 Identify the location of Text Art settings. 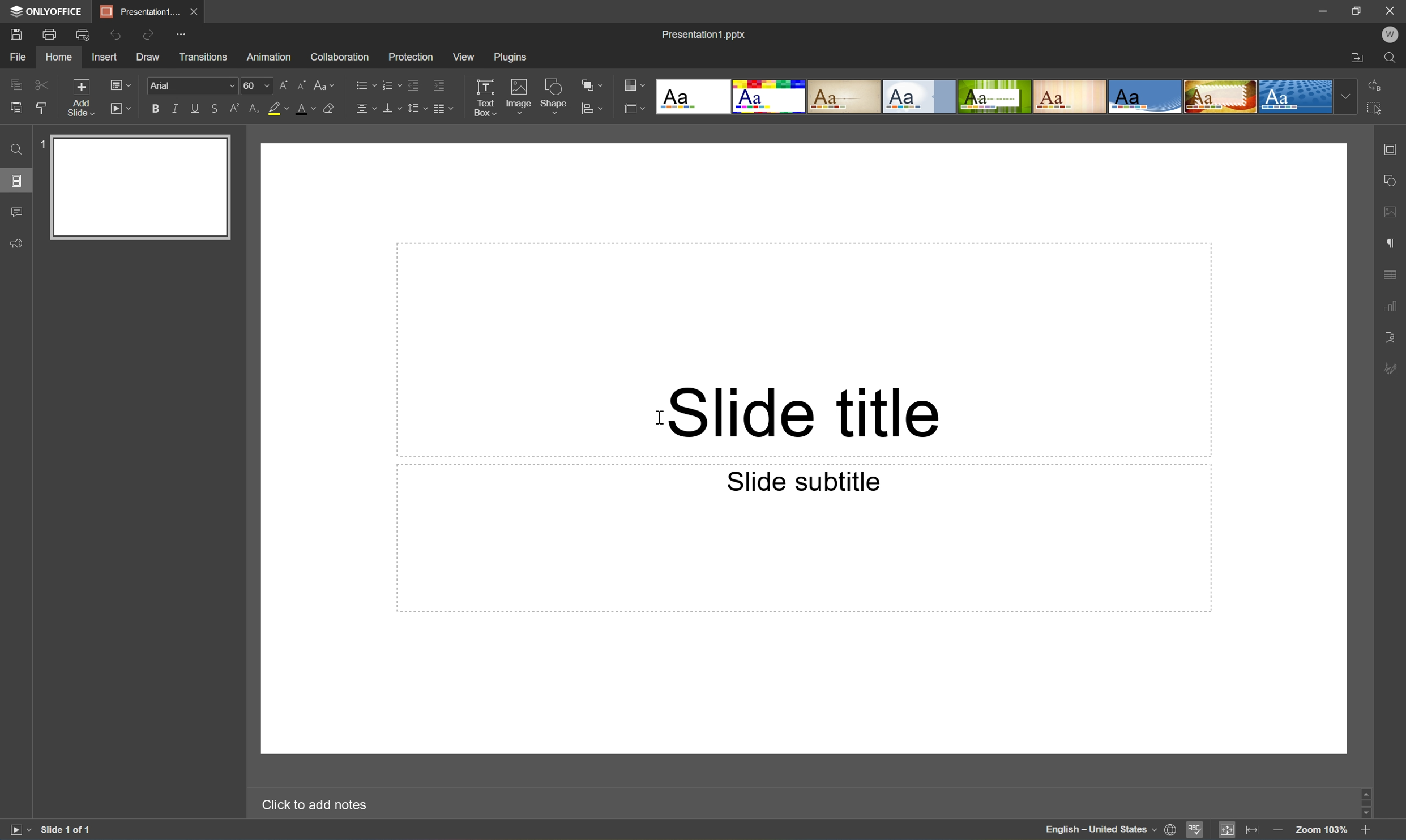
(1390, 335).